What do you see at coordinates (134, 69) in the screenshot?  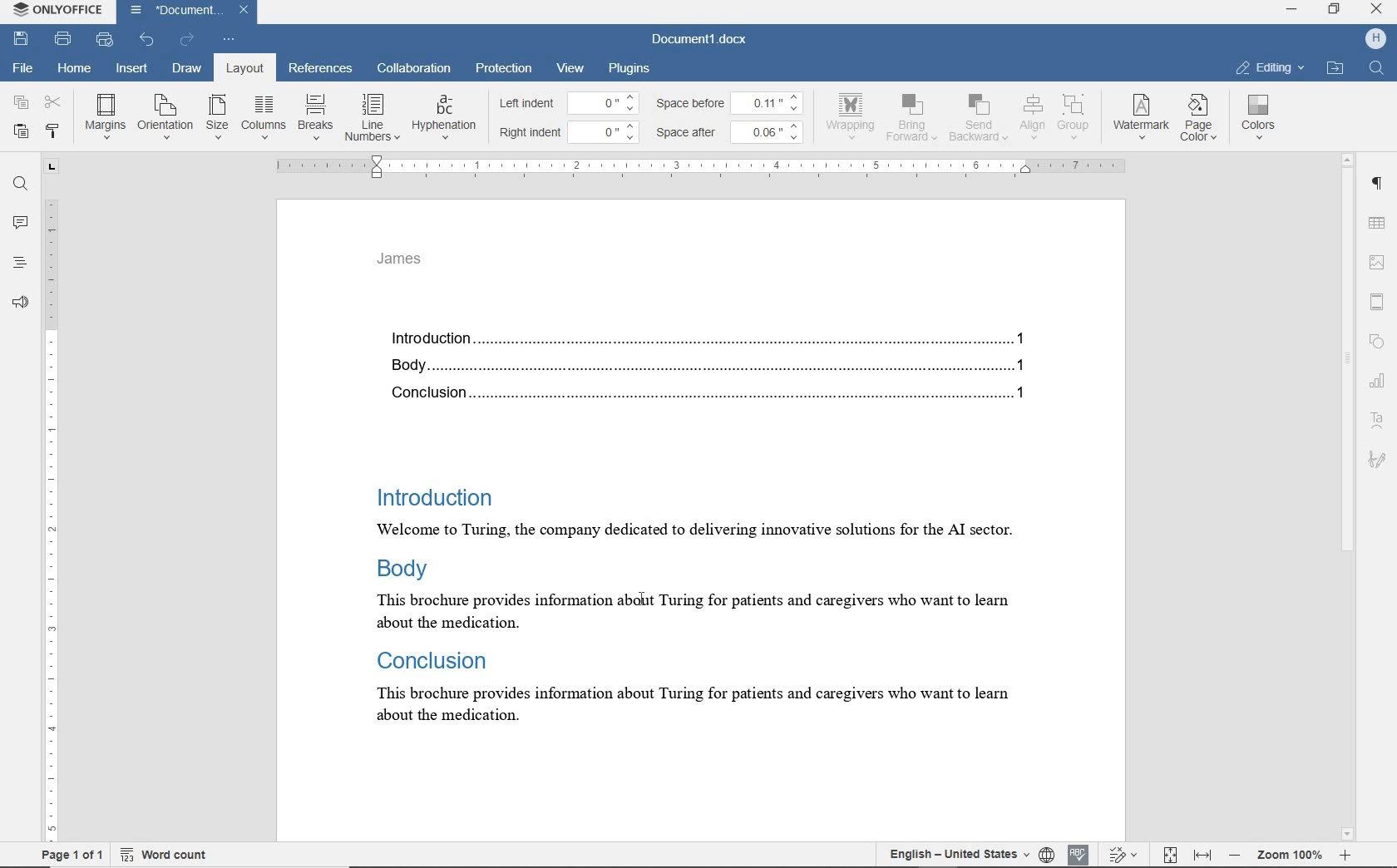 I see `insert` at bounding box center [134, 69].